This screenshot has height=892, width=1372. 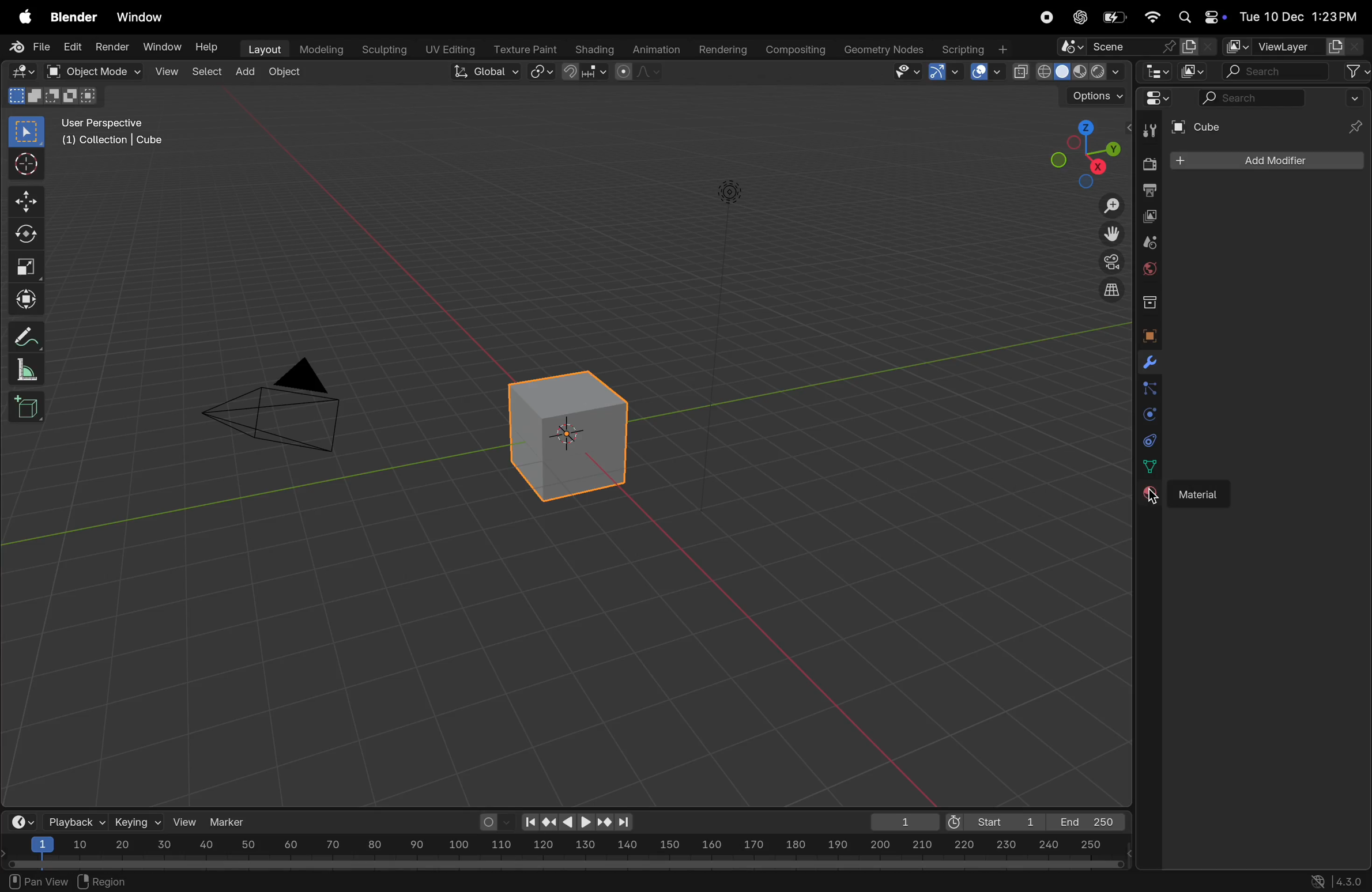 What do you see at coordinates (205, 71) in the screenshot?
I see `select` at bounding box center [205, 71].